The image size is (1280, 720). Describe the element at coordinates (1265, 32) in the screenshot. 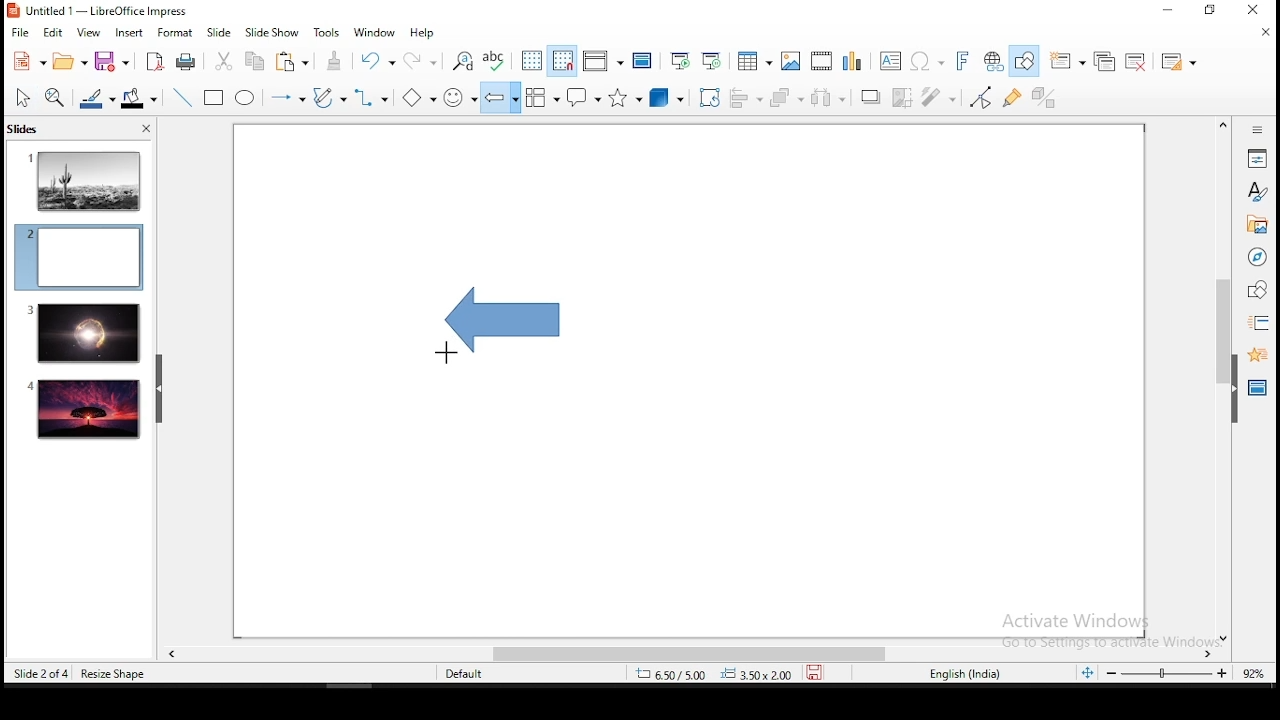

I see `close` at that location.